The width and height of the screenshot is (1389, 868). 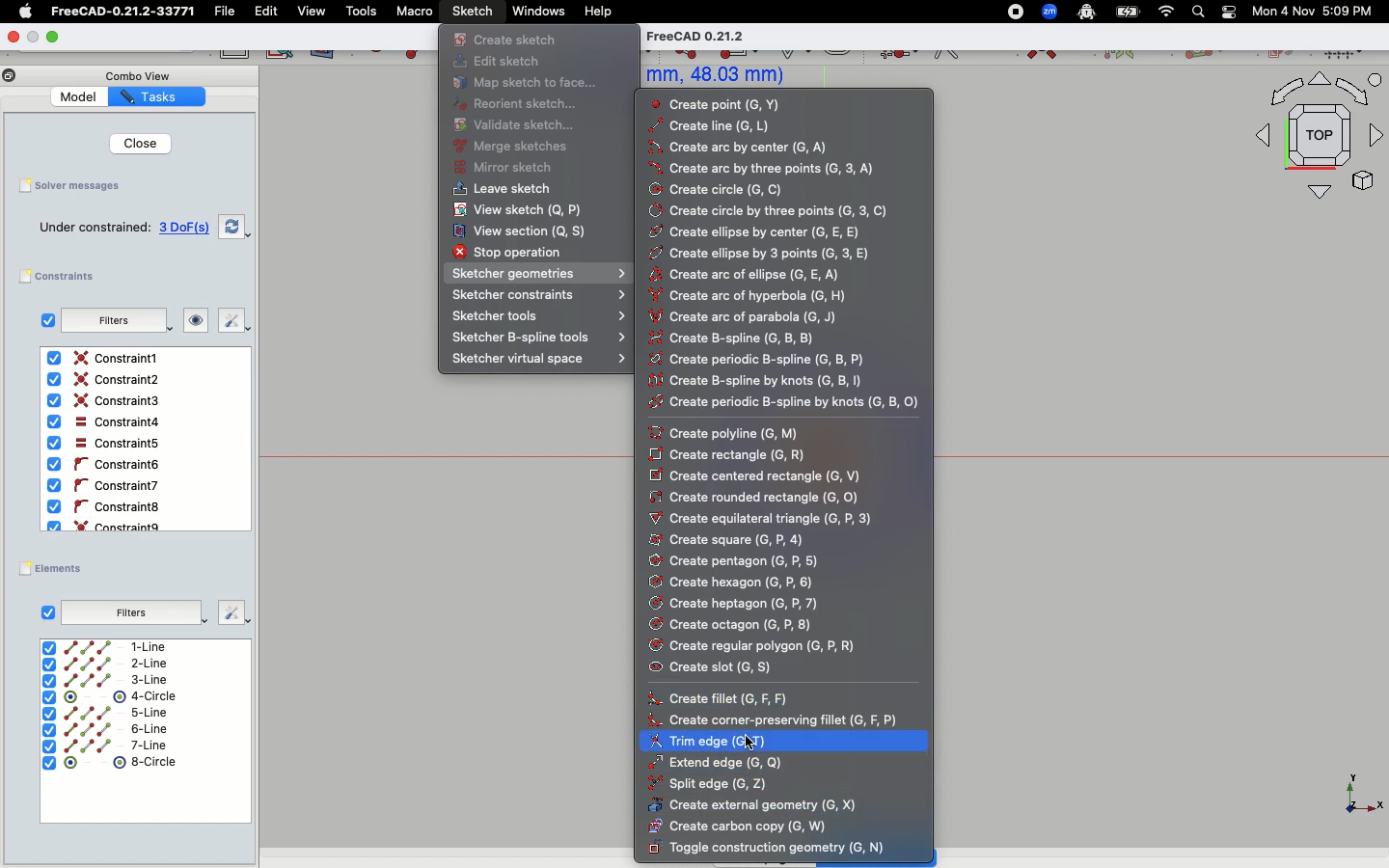 I want to click on Create arc of hyperbole, so click(x=754, y=297).